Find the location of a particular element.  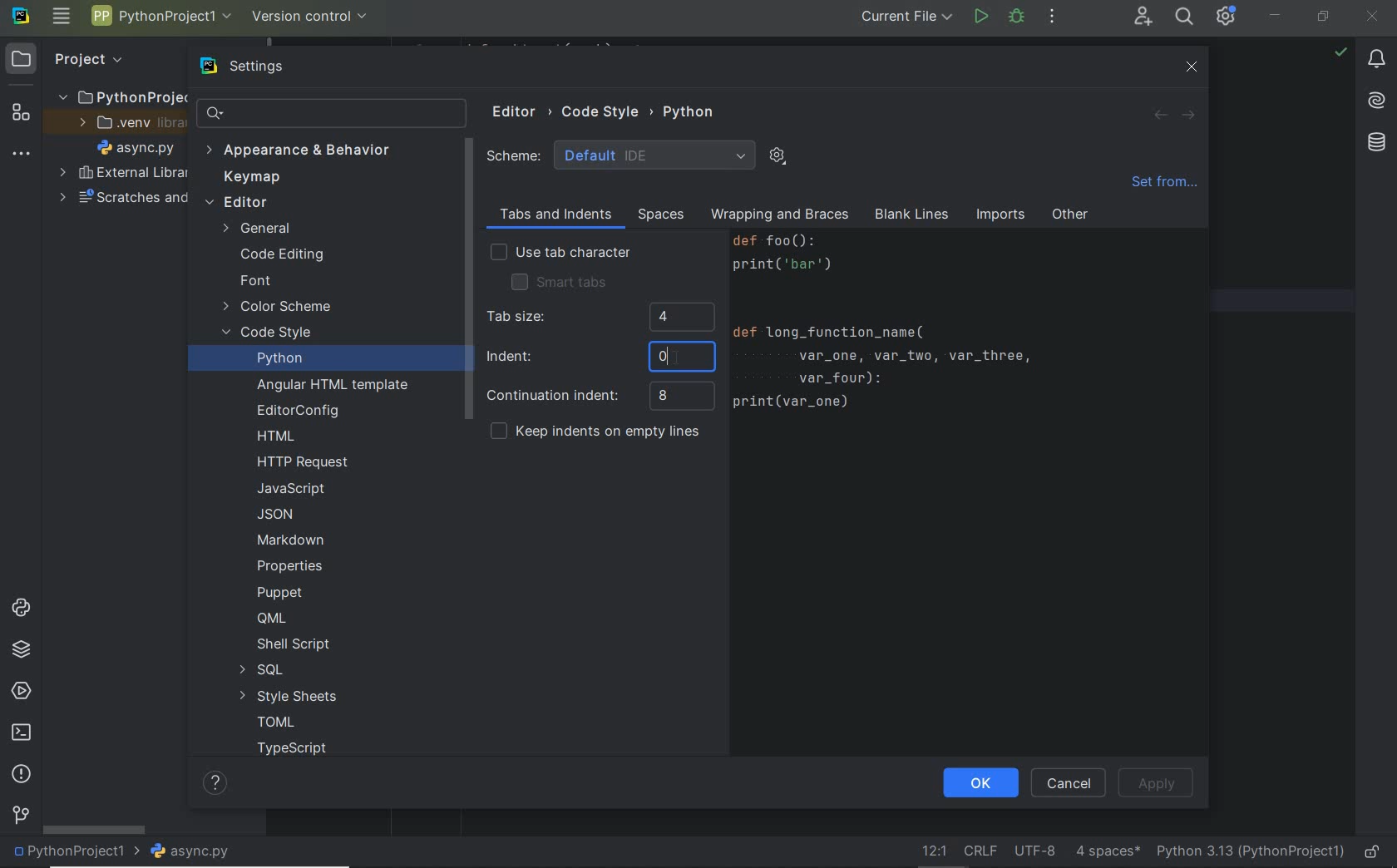

make file ready only is located at coordinates (1375, 853).